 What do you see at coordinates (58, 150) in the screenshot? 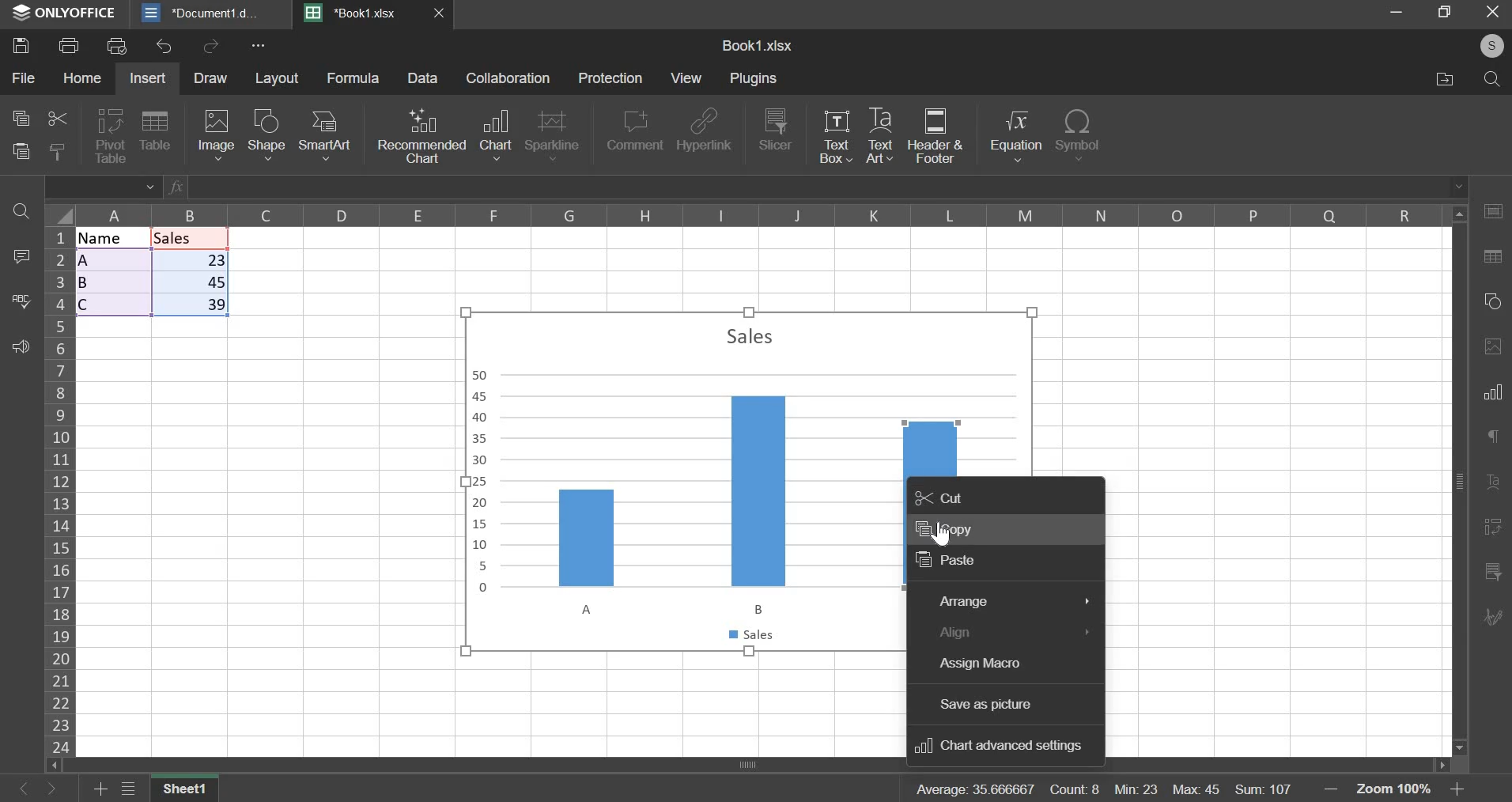
I see `copy style` at bounding box center [58, 150].